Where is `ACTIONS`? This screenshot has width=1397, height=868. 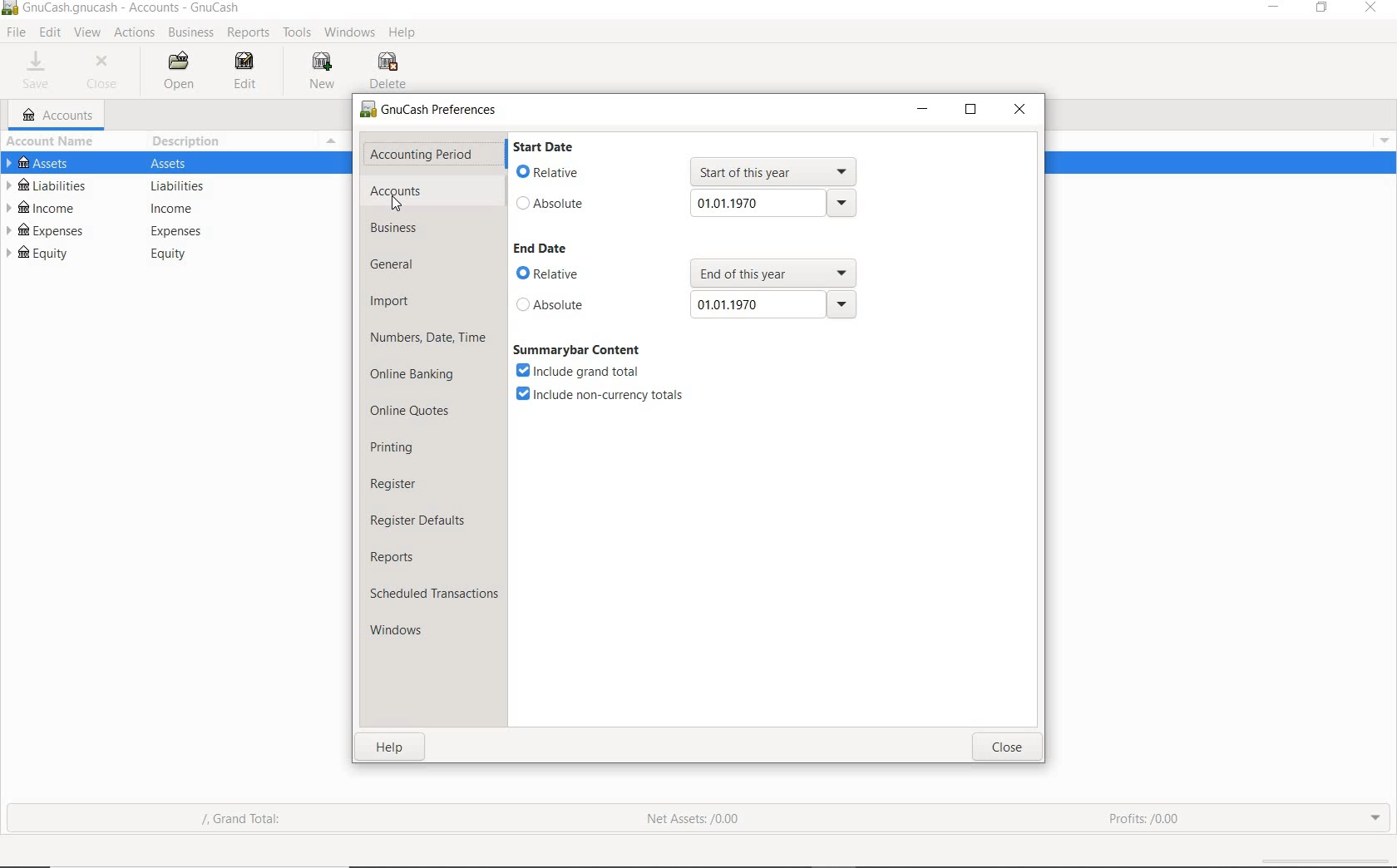
ACTIONS is located at coordinates (134, 33).